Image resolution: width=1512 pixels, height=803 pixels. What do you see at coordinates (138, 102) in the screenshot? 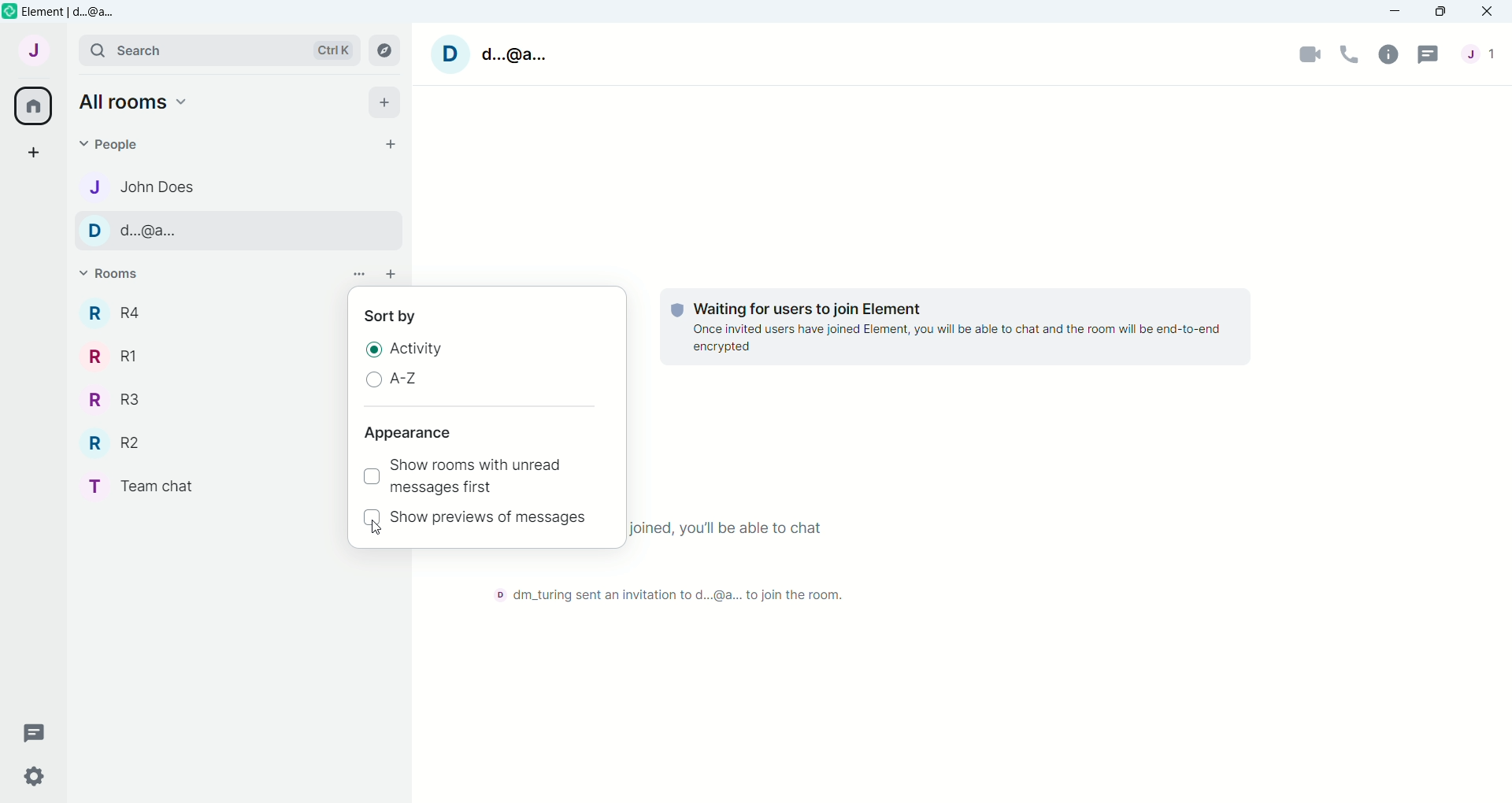
I see `Home Options` at bounding box center [138, 102].